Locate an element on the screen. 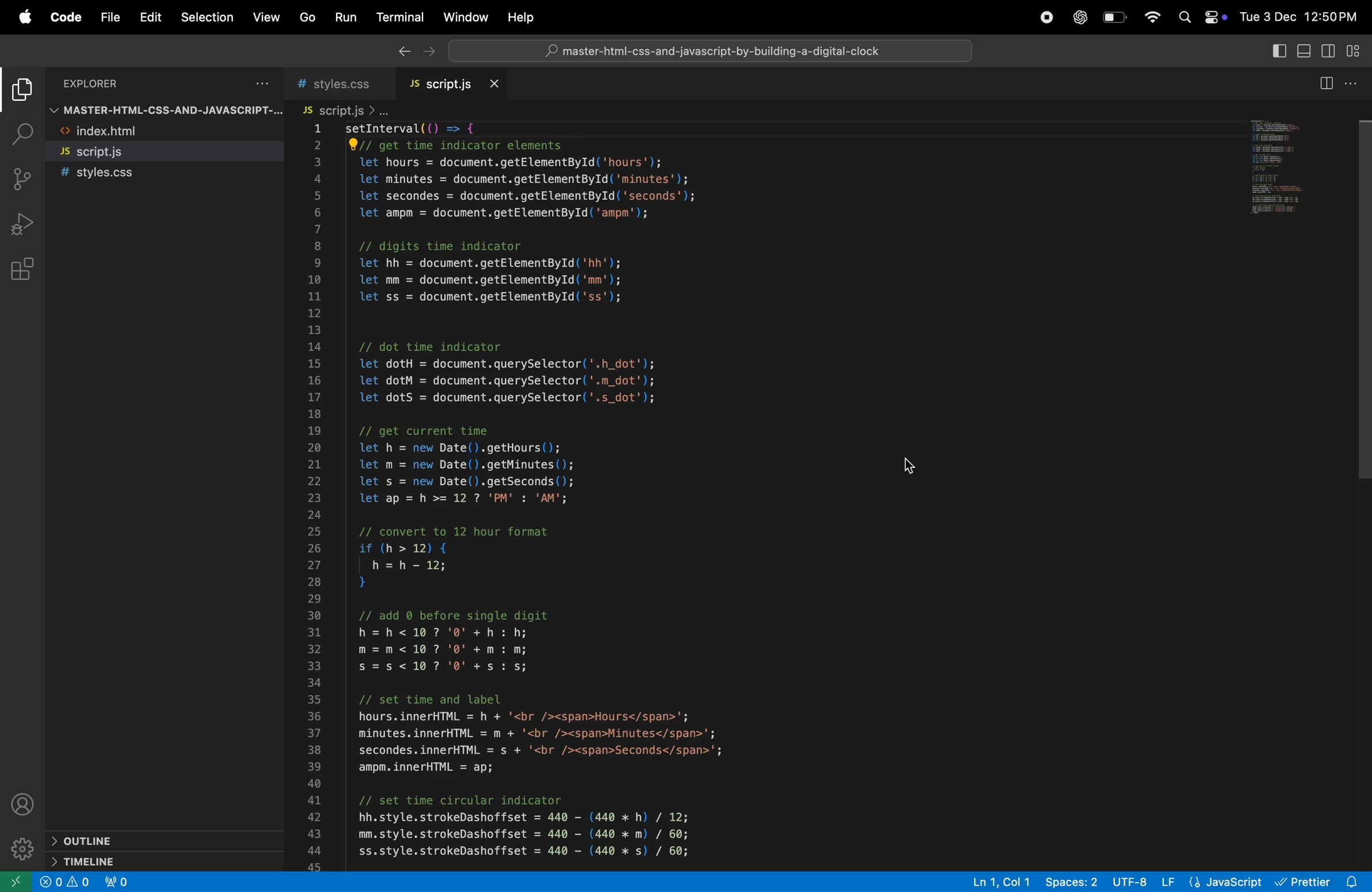 The height and width of the screenshot is (892, 1372). backward is located at coordinates (404, 50).